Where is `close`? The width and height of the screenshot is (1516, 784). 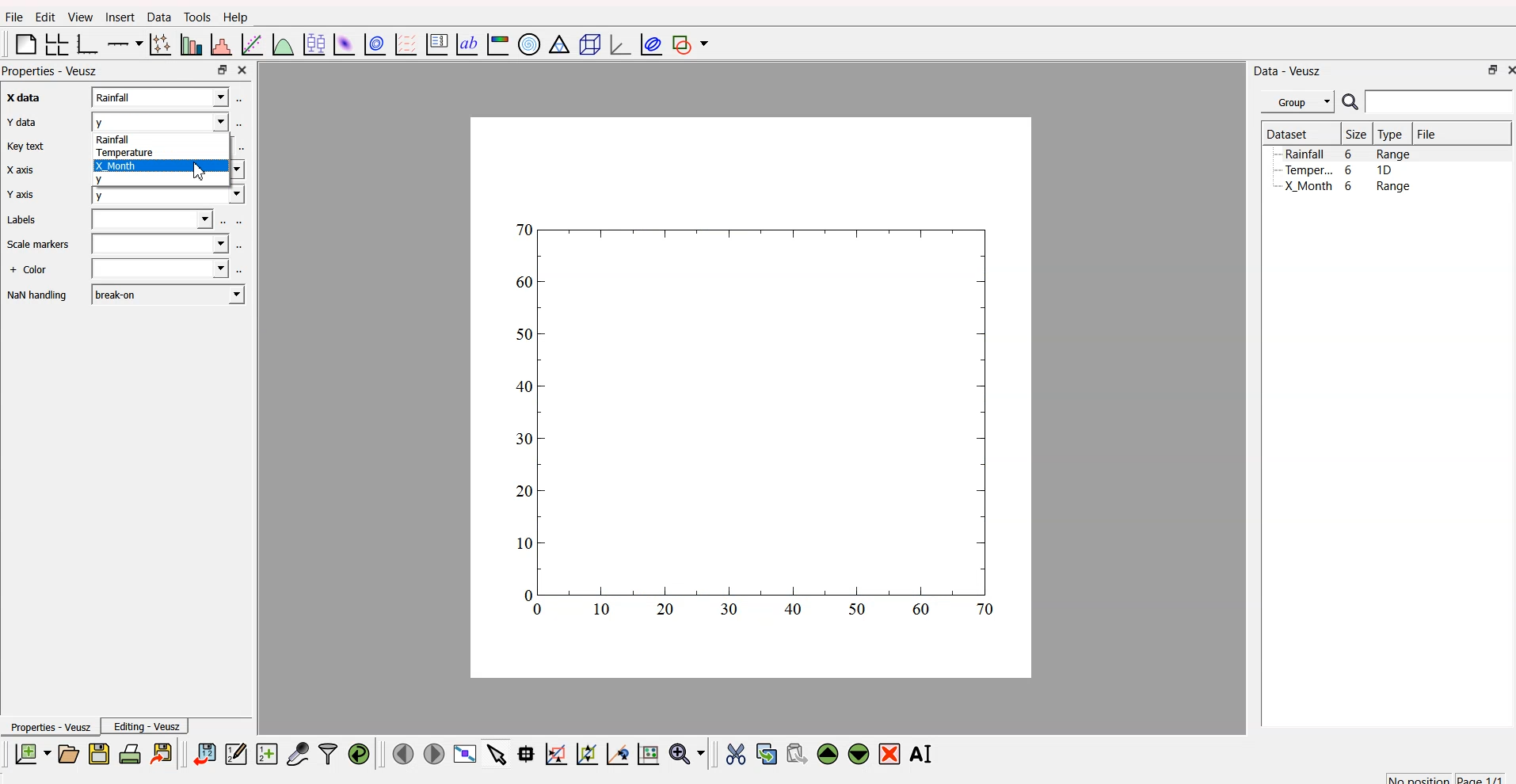
close is located at coordinates (1508, 71).